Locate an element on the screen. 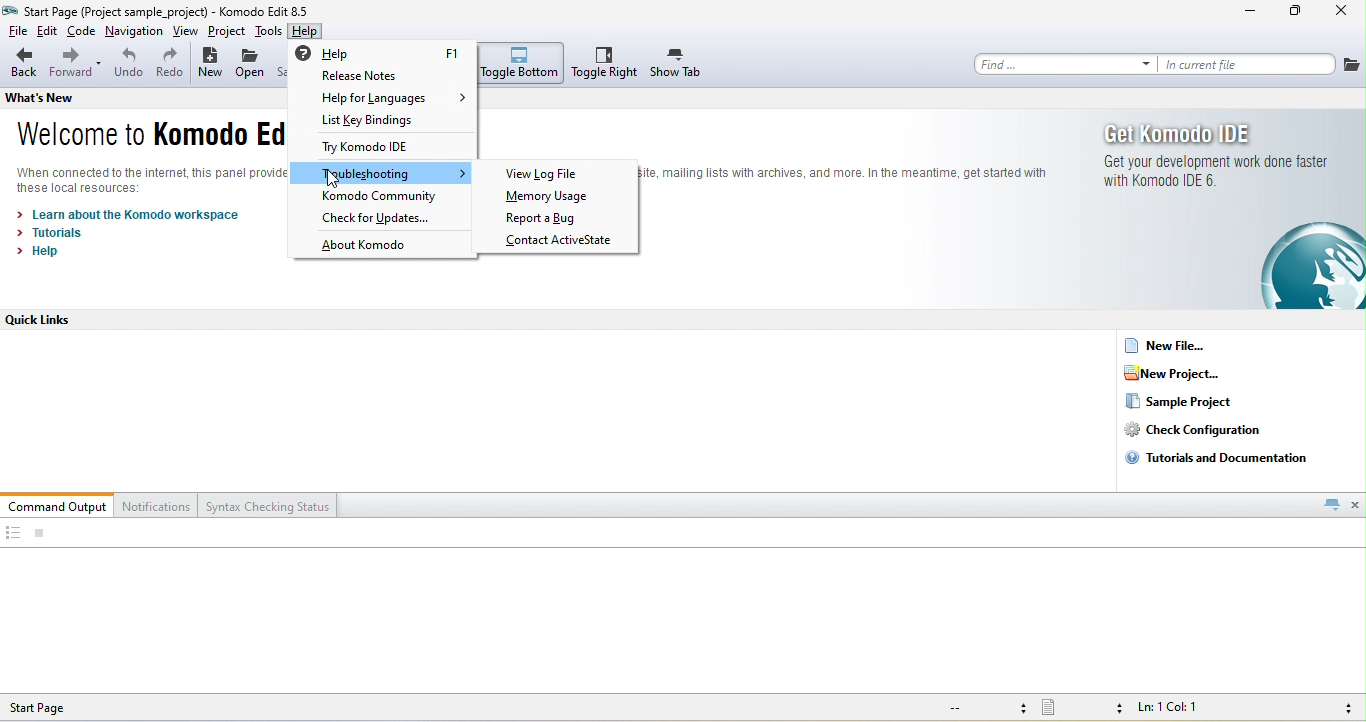  toggle bottom is located at coordinates (522, 63).